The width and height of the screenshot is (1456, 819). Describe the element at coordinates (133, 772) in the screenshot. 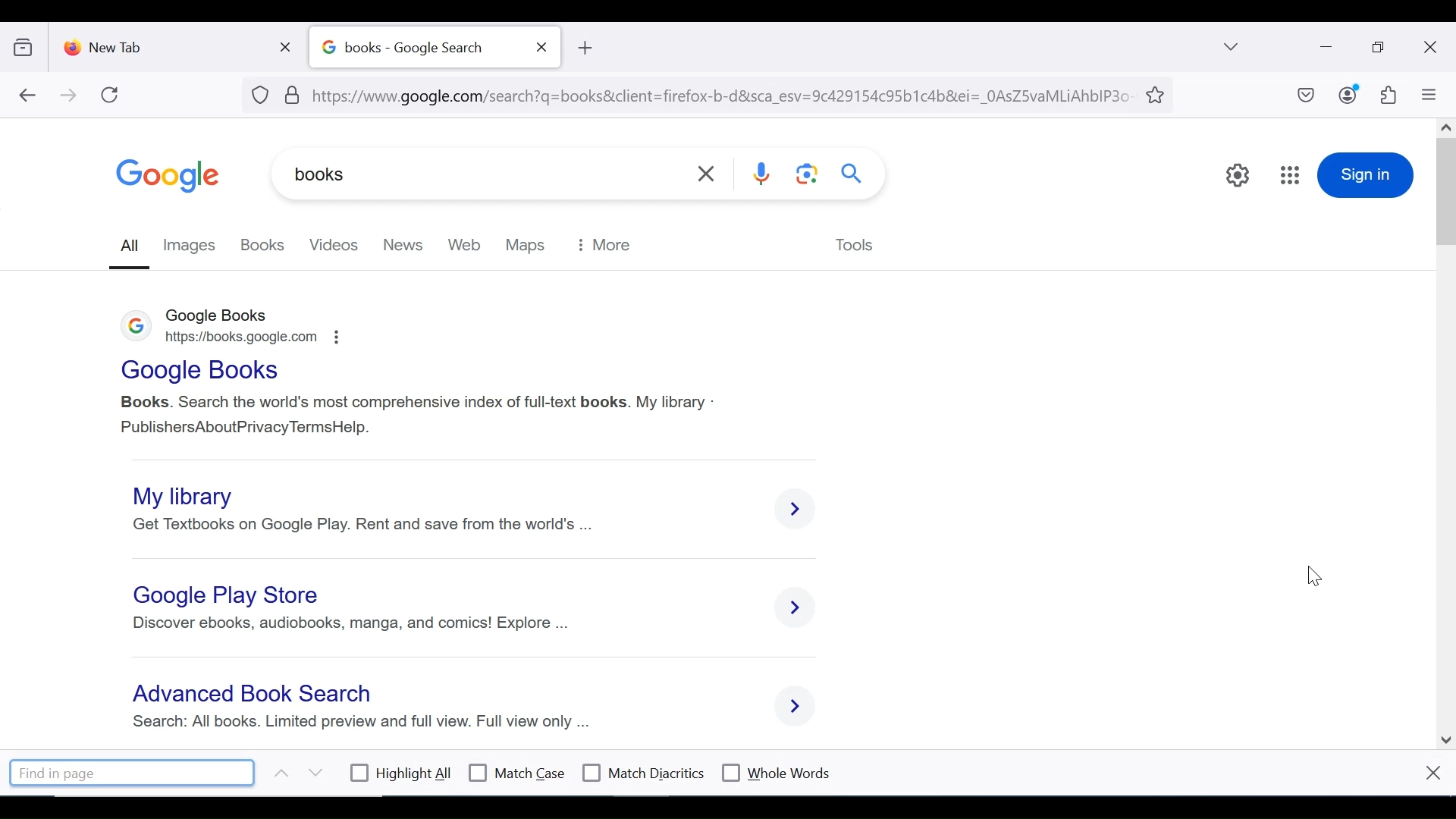

I see `find in page` at that location.